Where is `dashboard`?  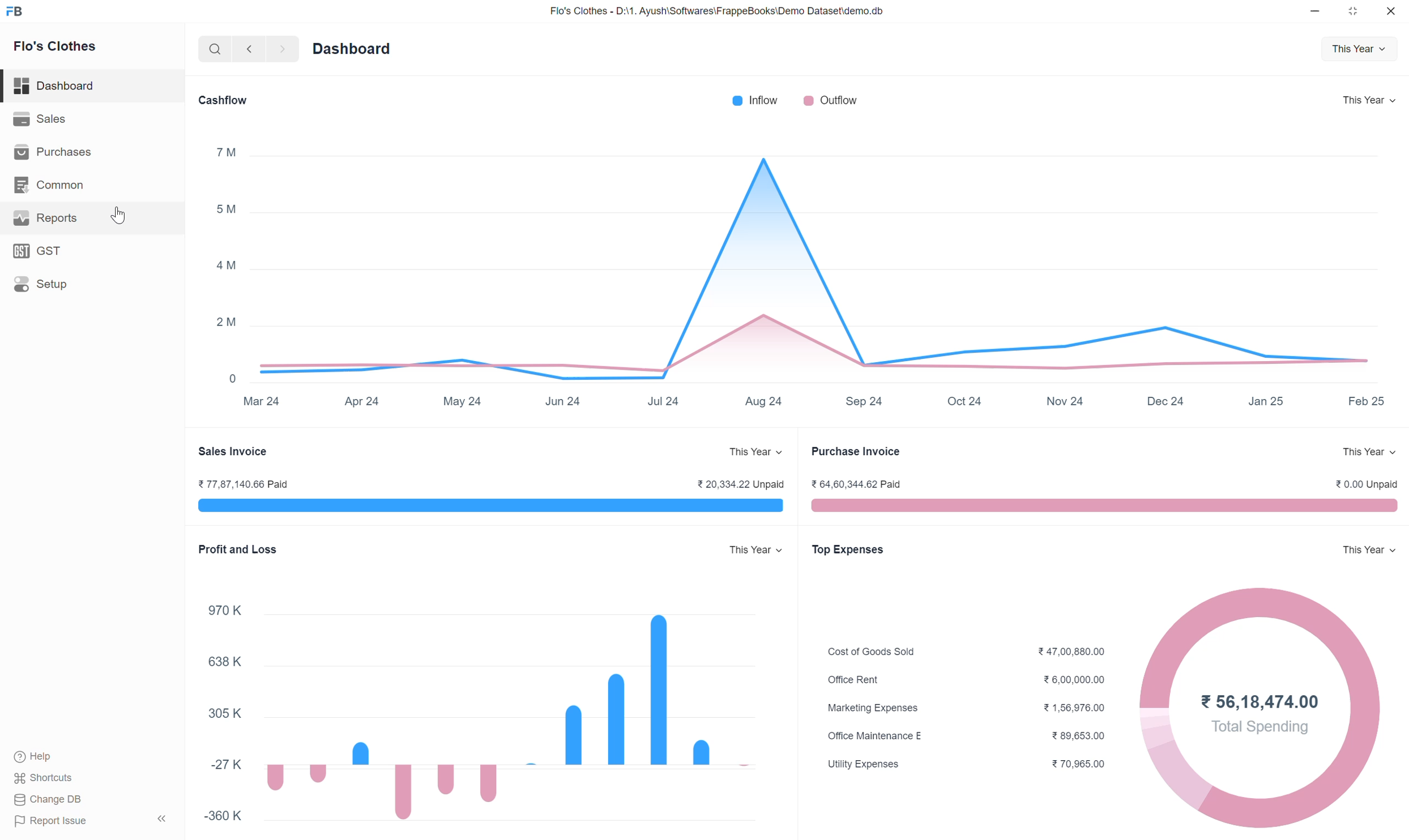
dashboard is located at coordinates (55, 86).